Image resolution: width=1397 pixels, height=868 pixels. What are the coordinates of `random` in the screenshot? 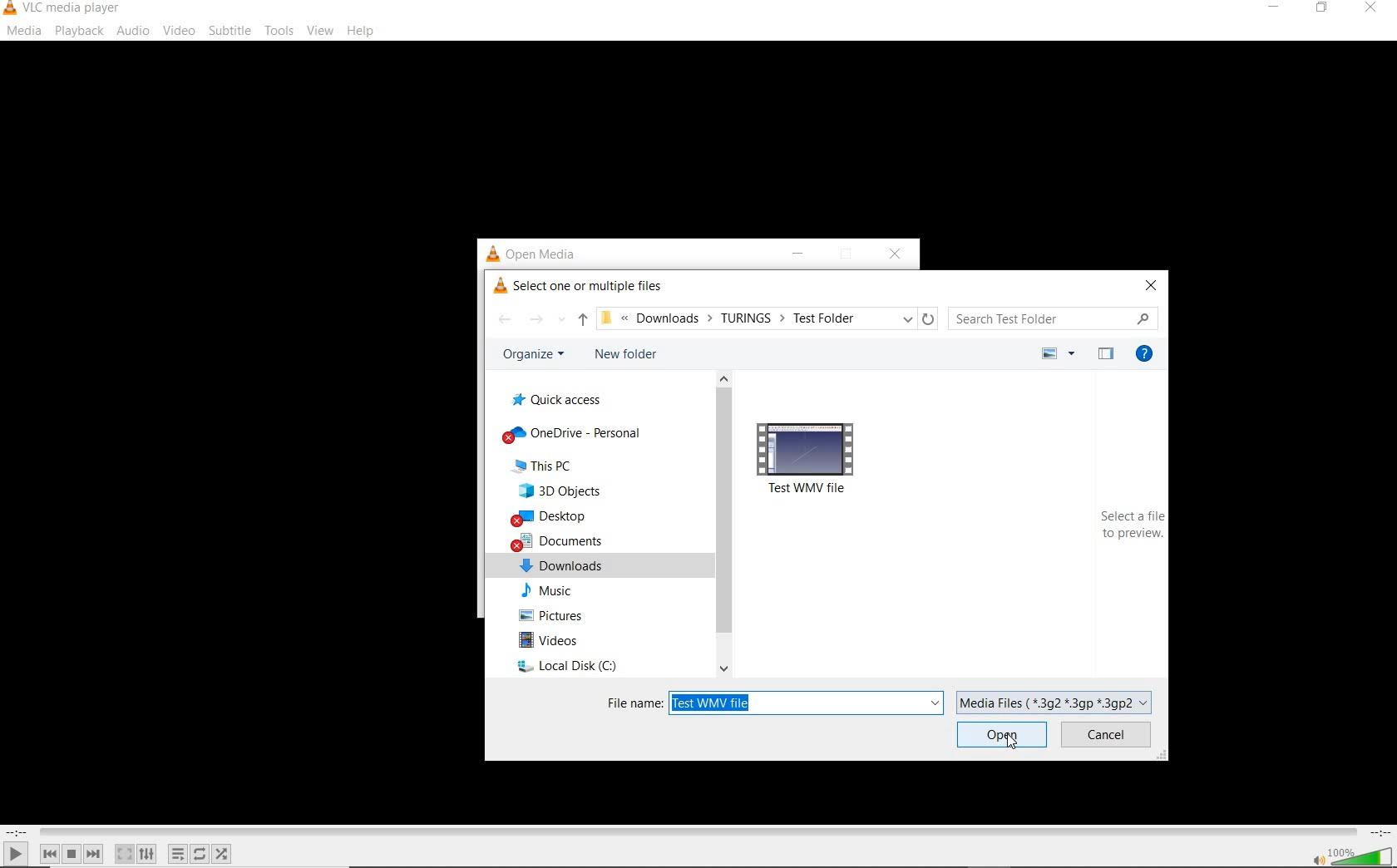 It's located at (221, 854).